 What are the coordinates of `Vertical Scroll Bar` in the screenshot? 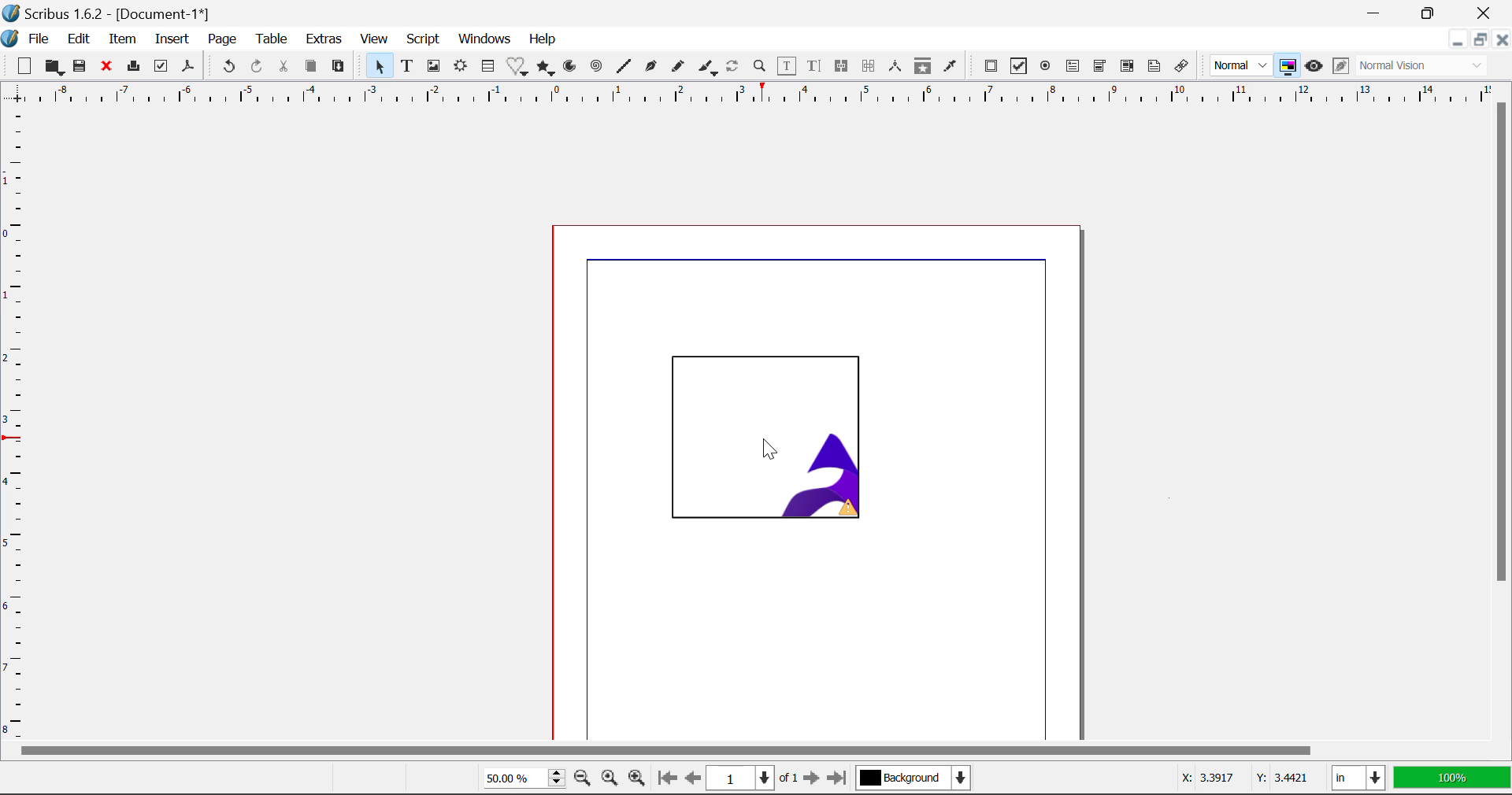 It's located at (1503, 423).